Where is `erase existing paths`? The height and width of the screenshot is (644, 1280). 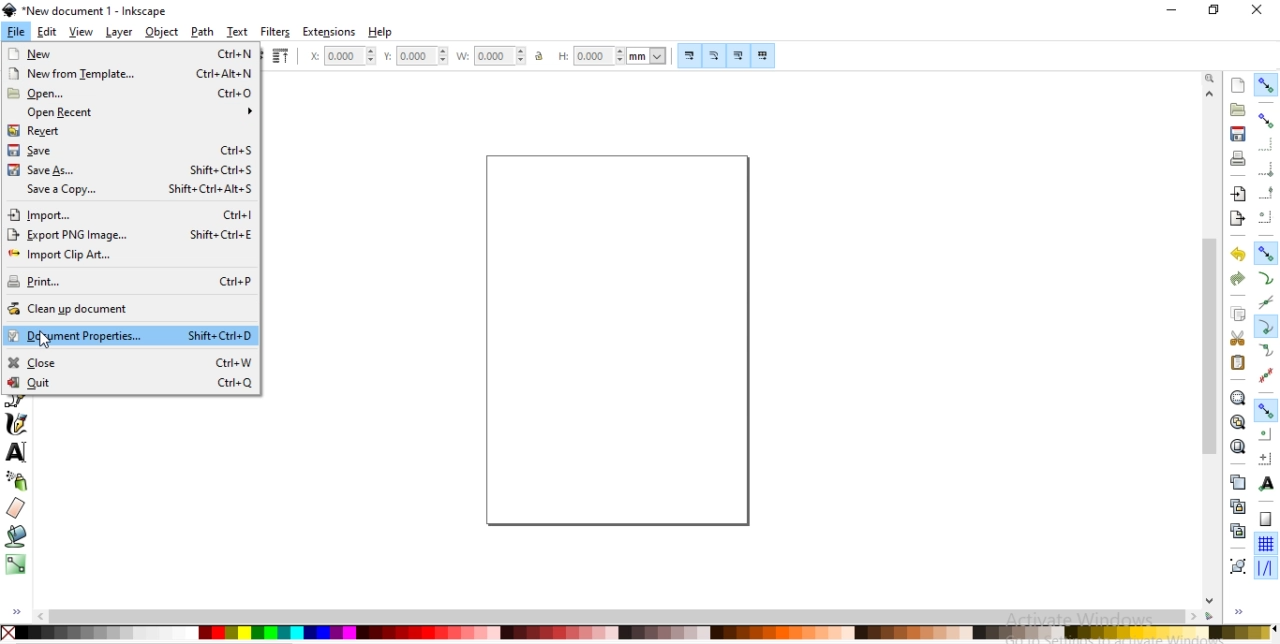 erase existing paths is located at coordinates (16, 507).